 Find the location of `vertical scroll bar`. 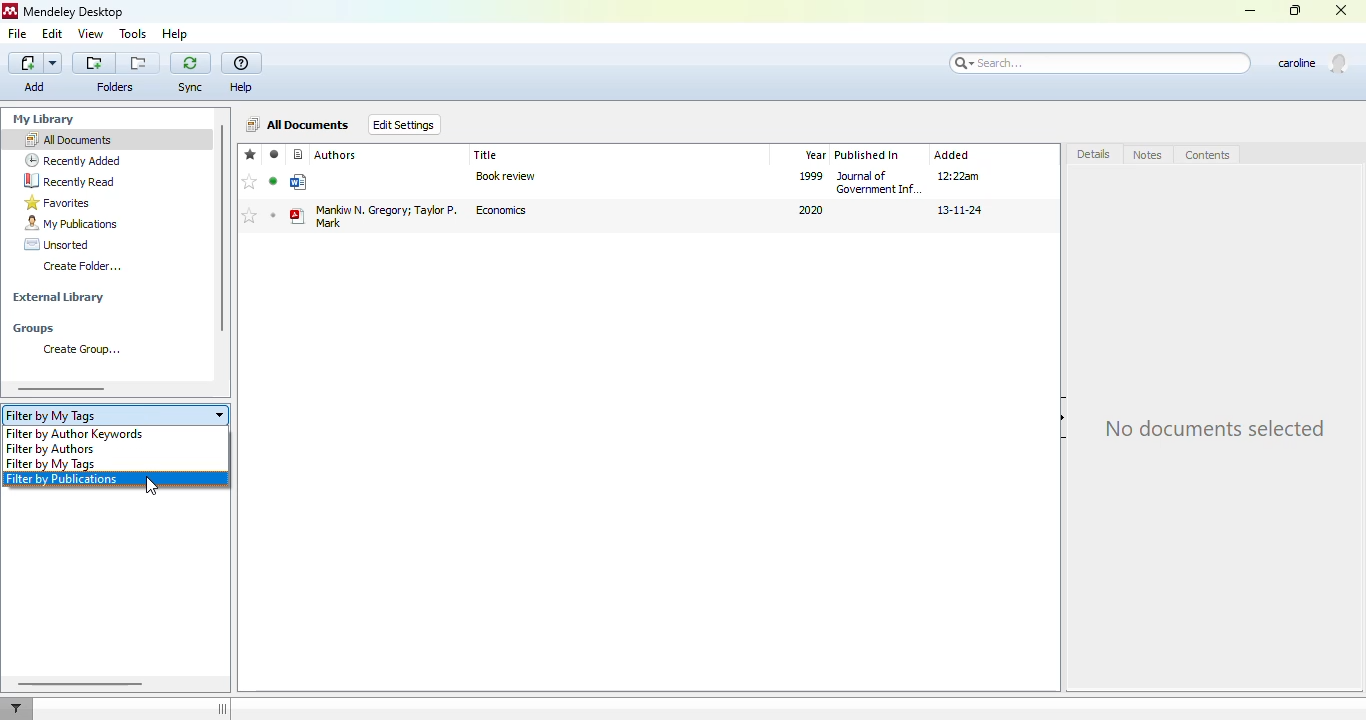

vertical scroll bar is located at coordinates (221, 228).